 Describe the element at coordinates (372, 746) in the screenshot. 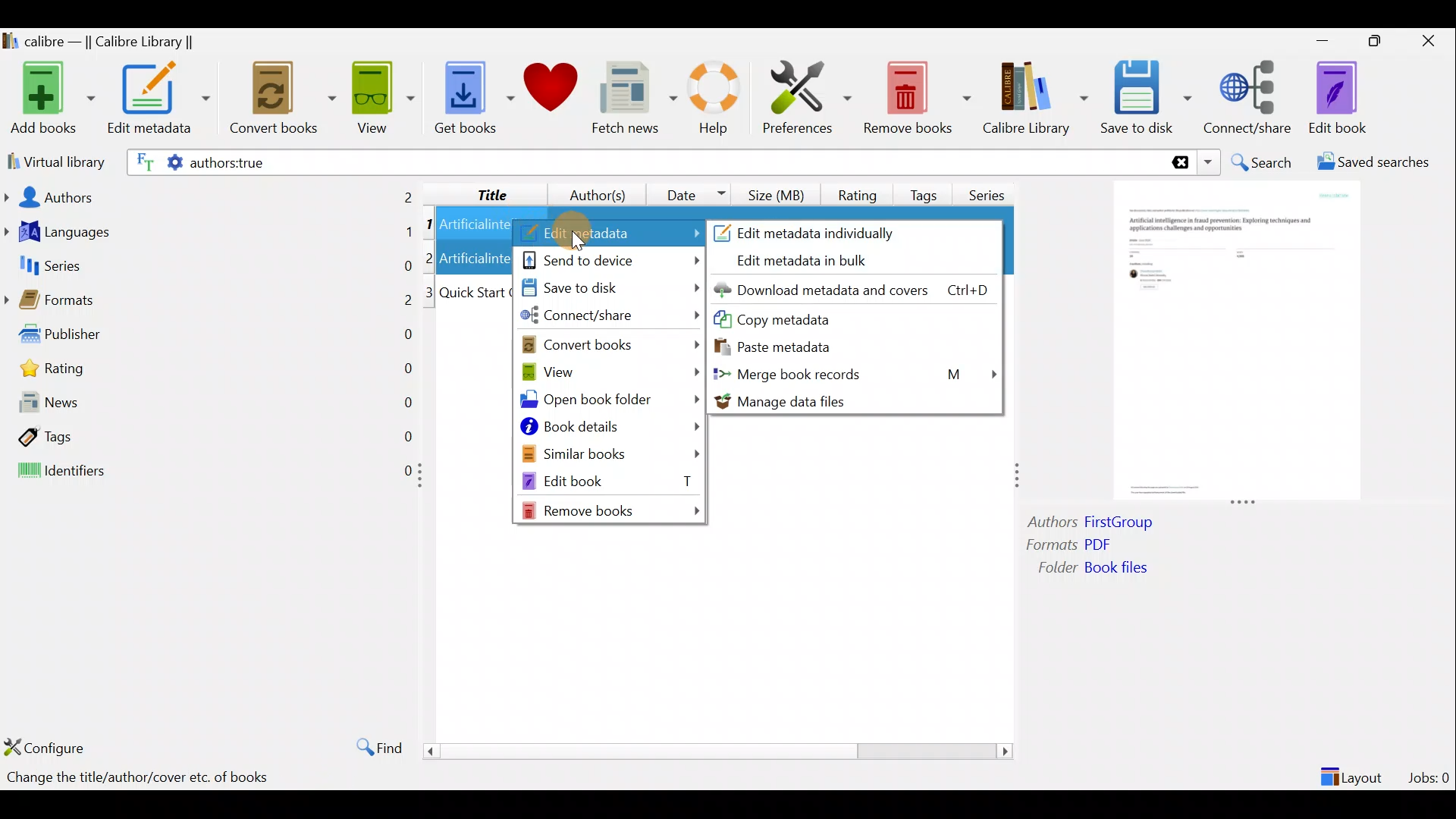

I see `Find` at that location.